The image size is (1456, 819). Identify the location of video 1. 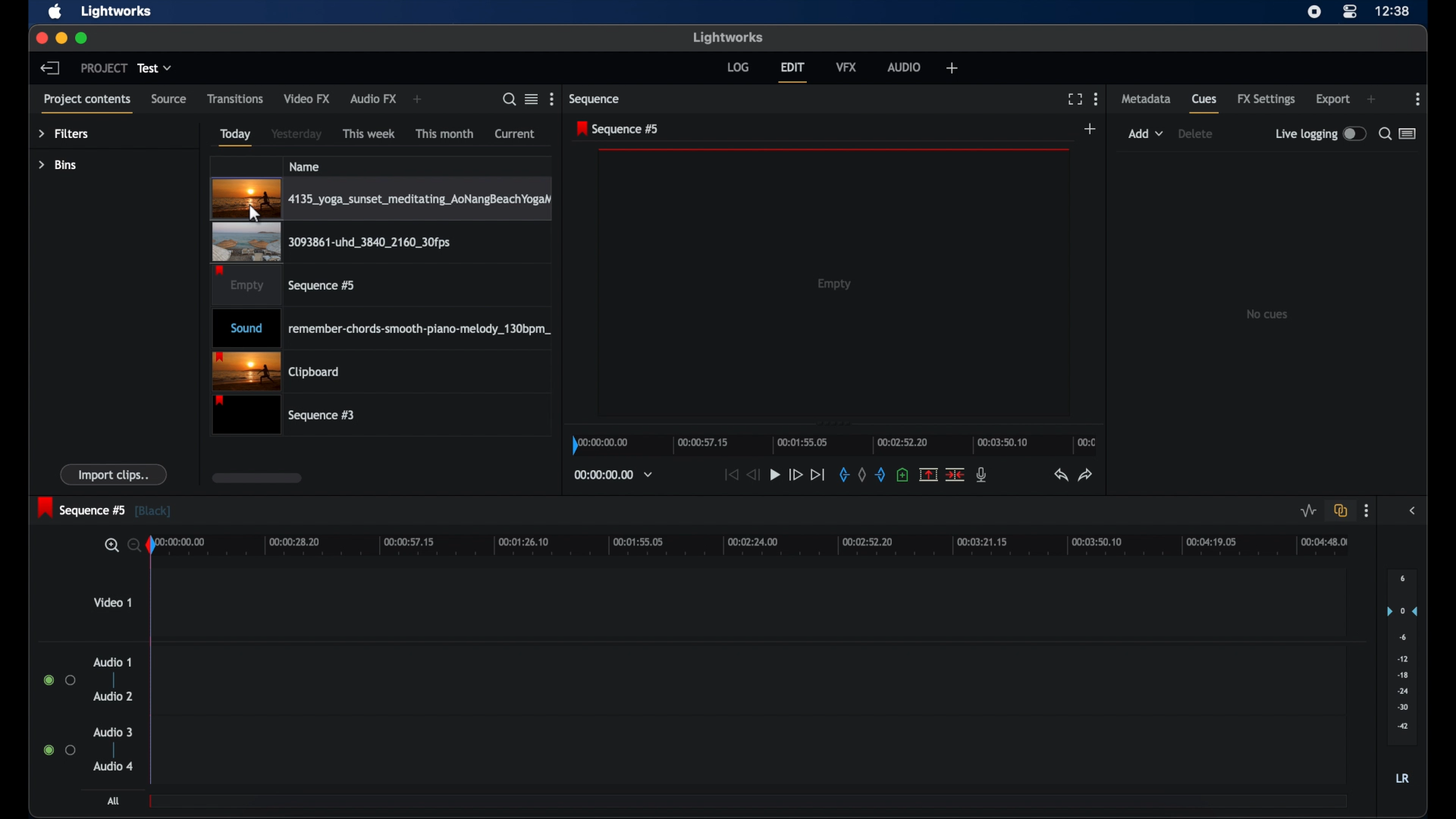
(114, 603).